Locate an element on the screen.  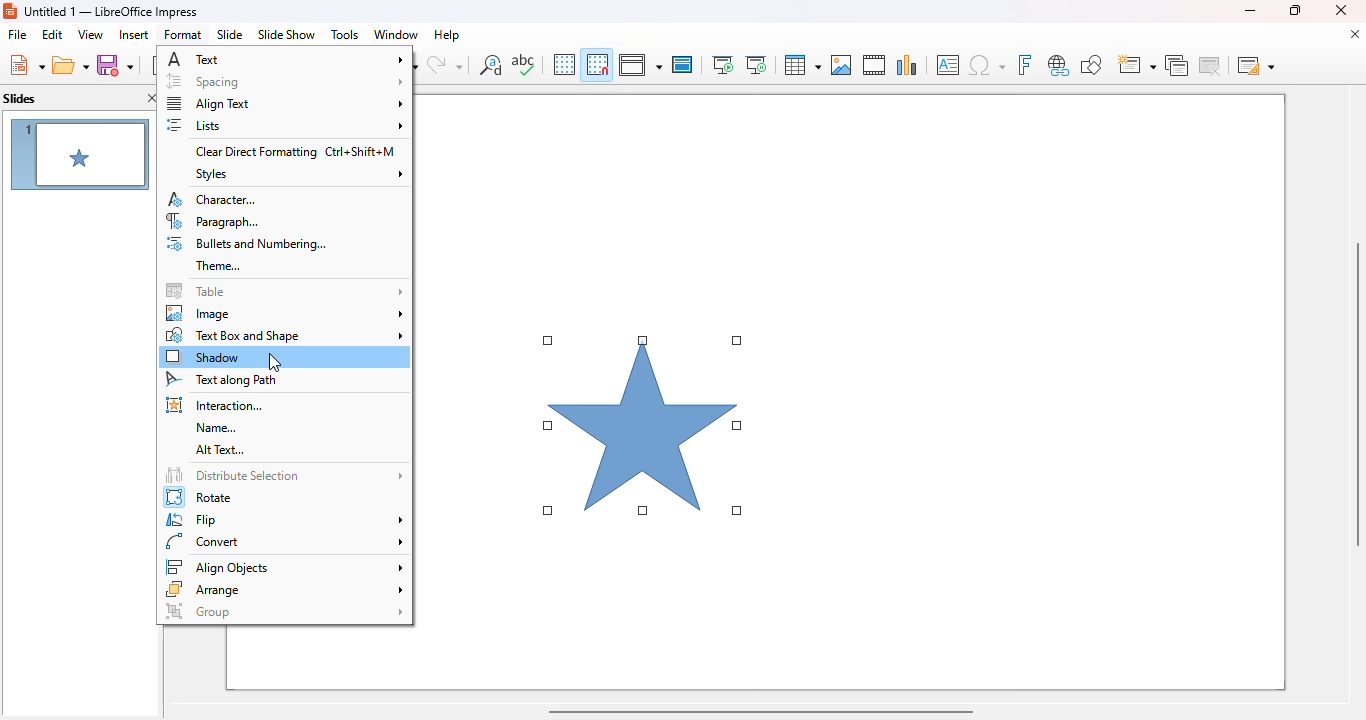
group is located at coordinates (284, 611).